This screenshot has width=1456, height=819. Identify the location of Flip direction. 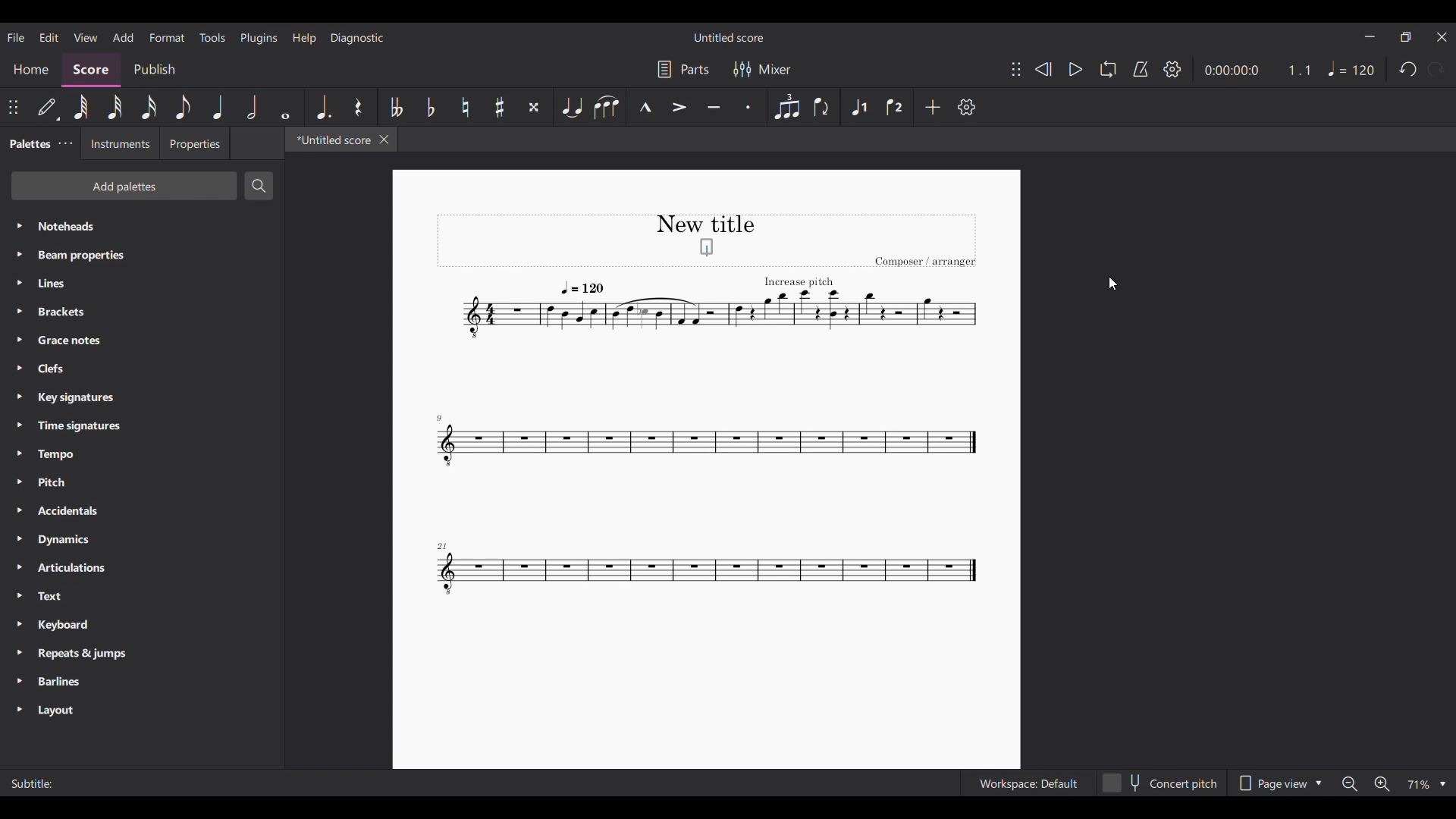
(821, 108).